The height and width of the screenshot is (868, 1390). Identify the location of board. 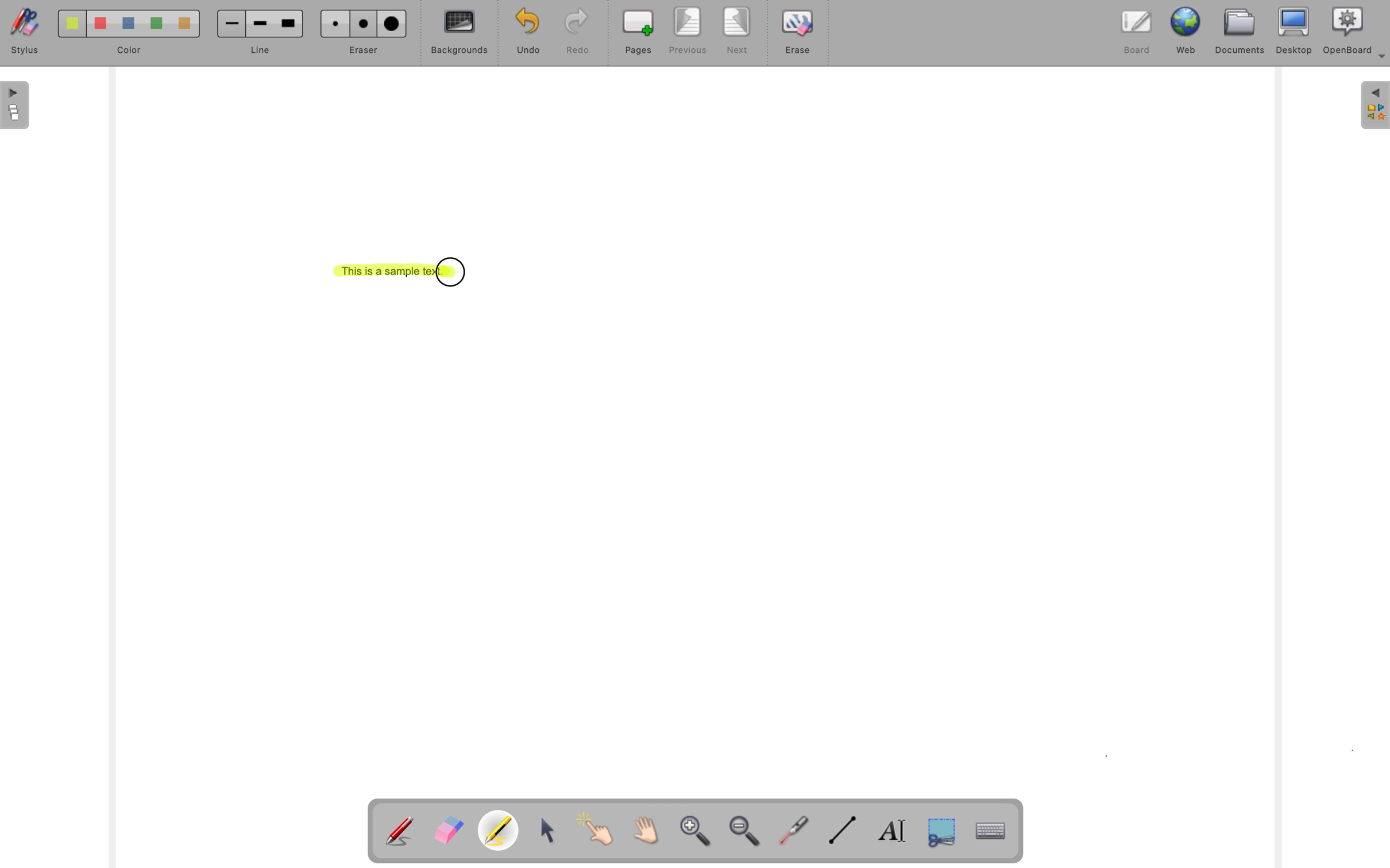
(1136, 32).